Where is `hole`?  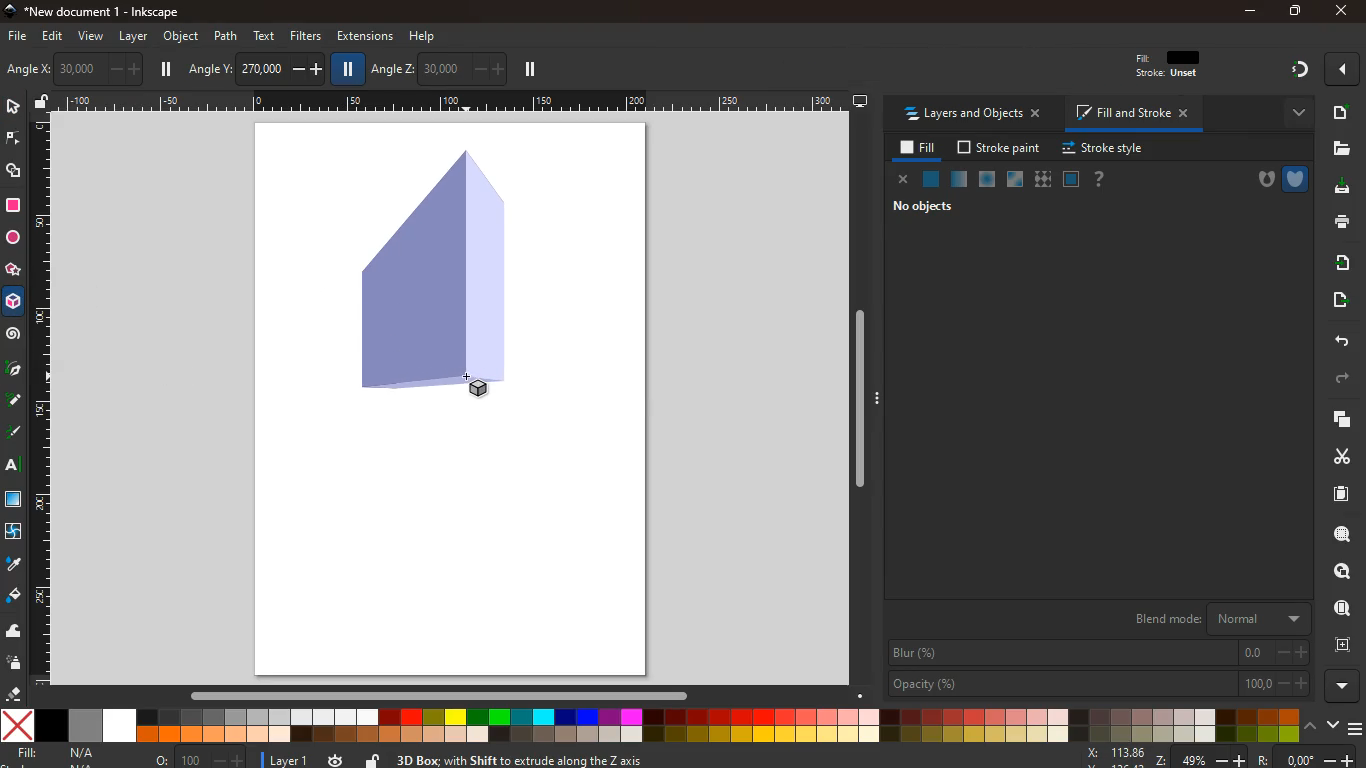 hole is located at coordinates (1259, 180).